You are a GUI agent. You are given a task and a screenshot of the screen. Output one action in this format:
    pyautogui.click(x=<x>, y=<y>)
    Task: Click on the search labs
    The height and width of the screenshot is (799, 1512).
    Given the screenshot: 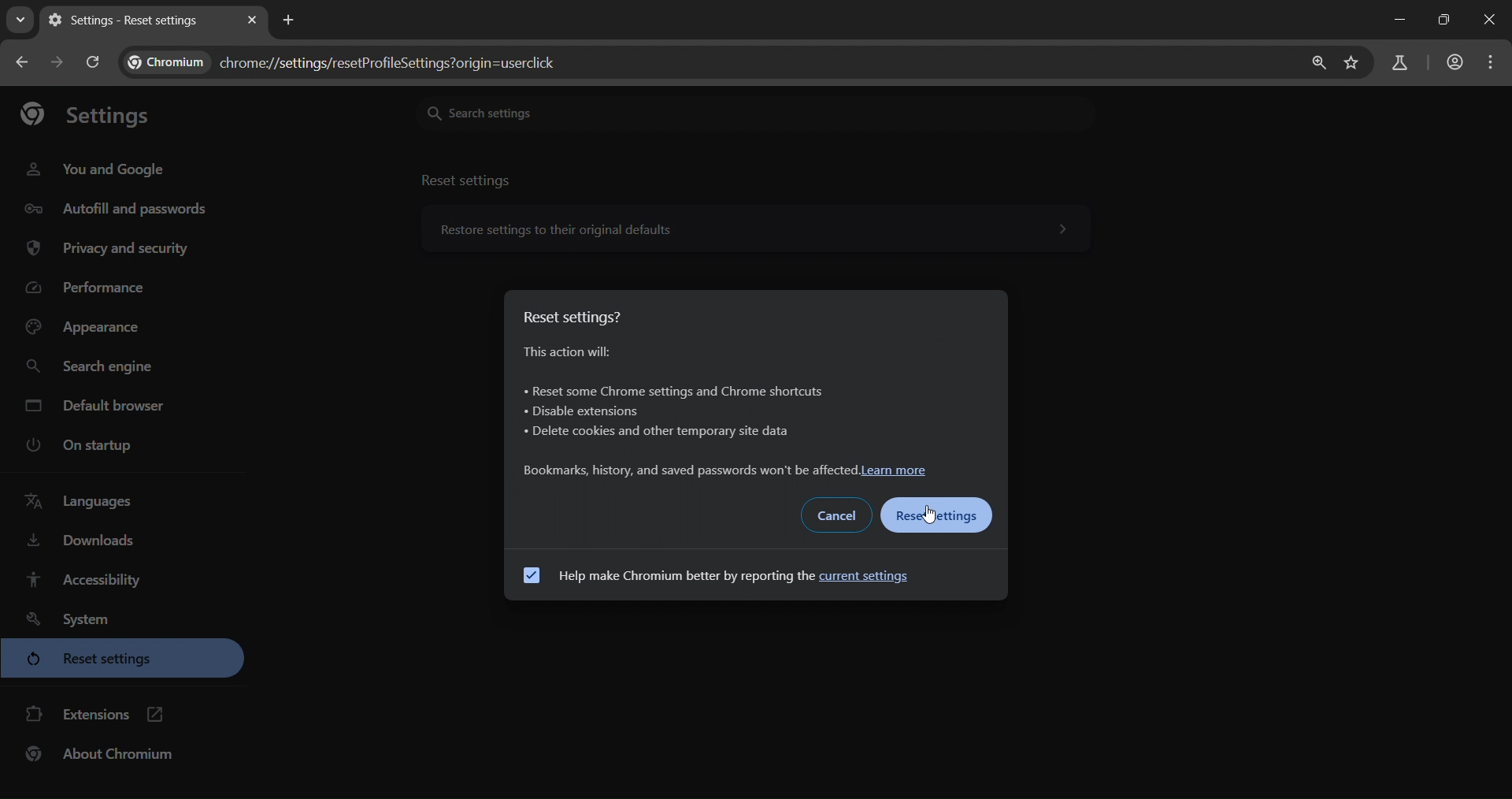 What is the action you would take?
    pyautogui.click(x=1395, y=63)
    